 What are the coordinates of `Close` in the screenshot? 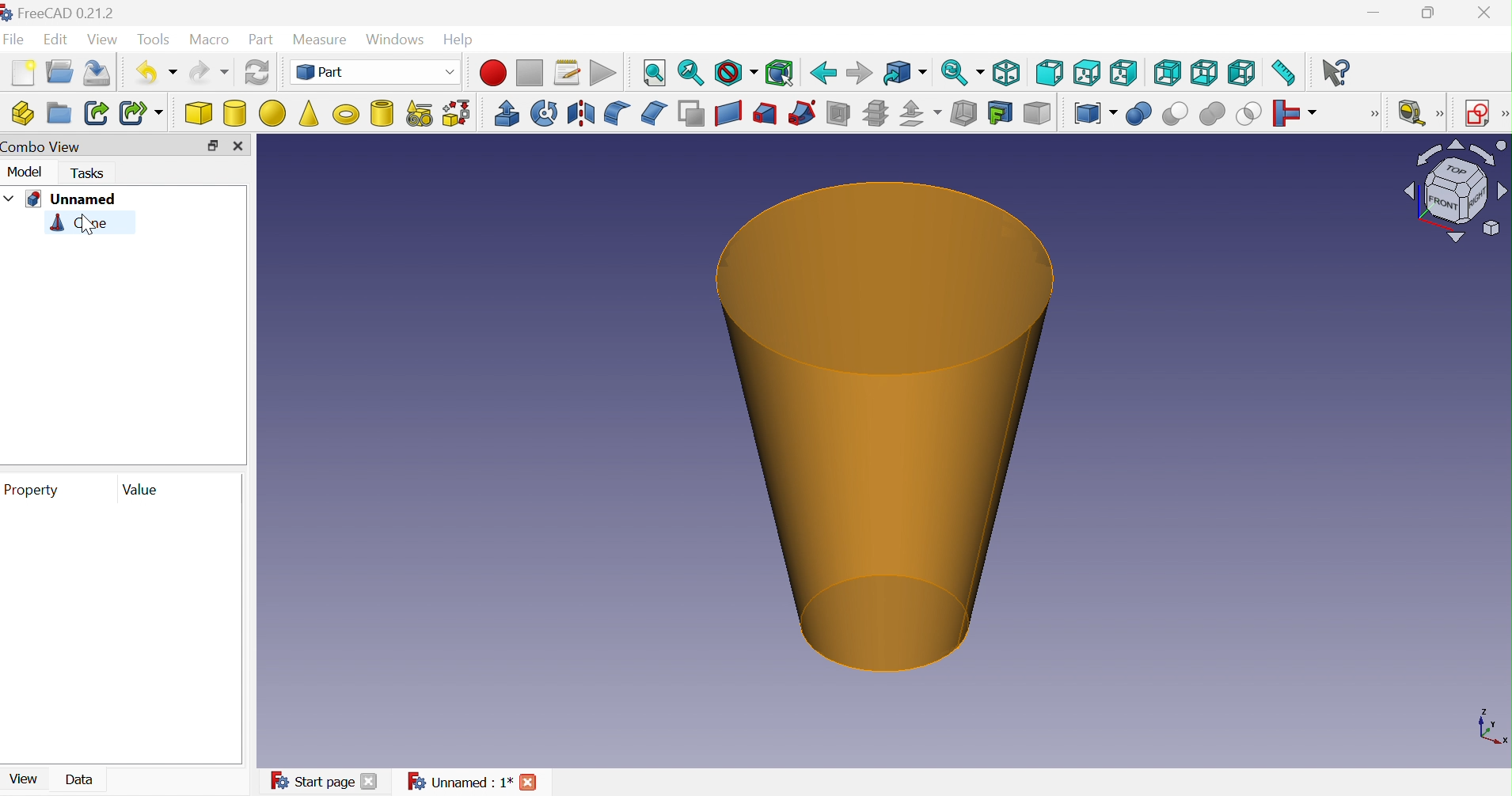 It's located at (237, 146).